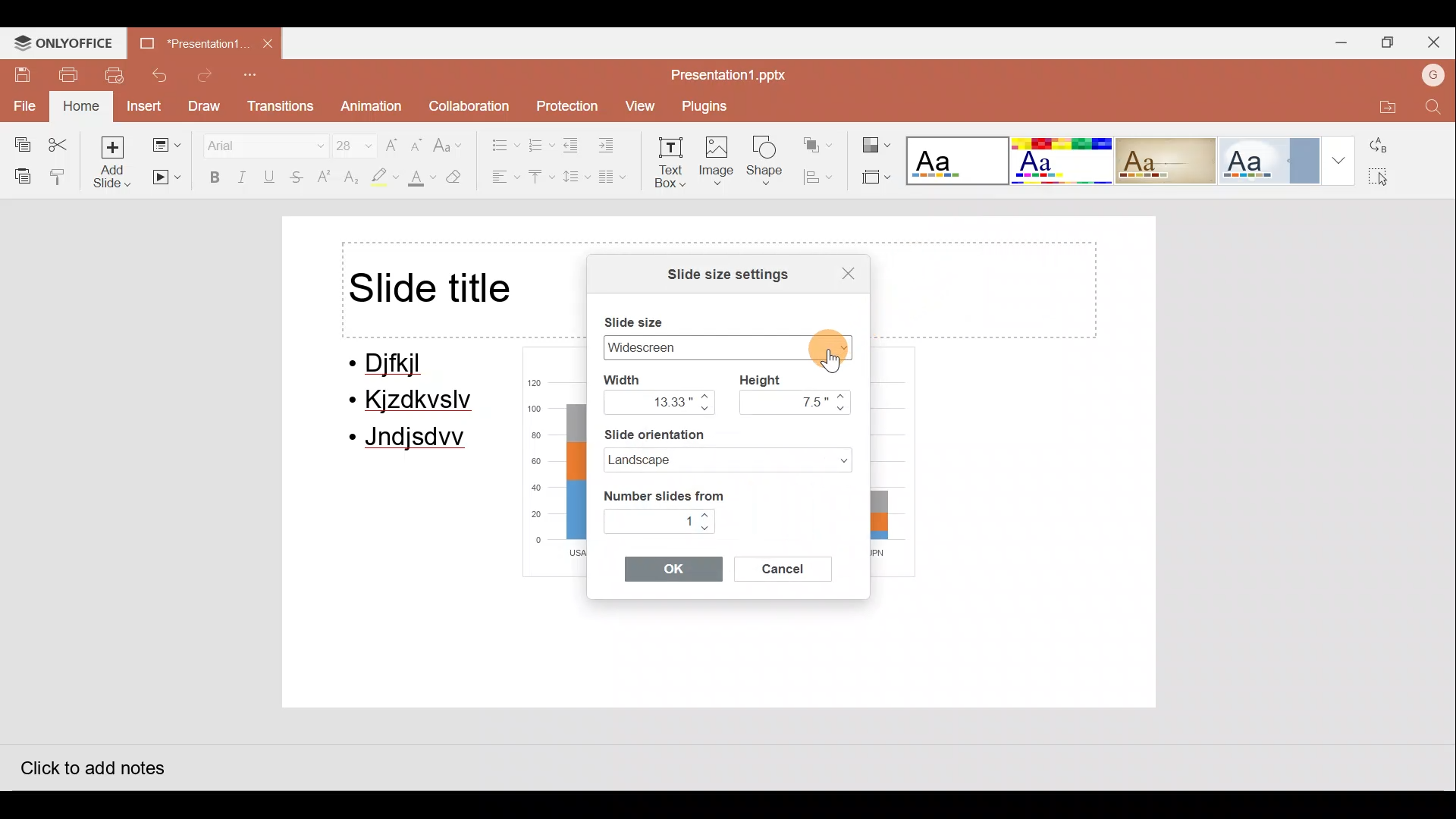  What do you see at coordinates (165, 142) in the screenshot?
I see `Change slide layout` at bounding box center [165, 142].